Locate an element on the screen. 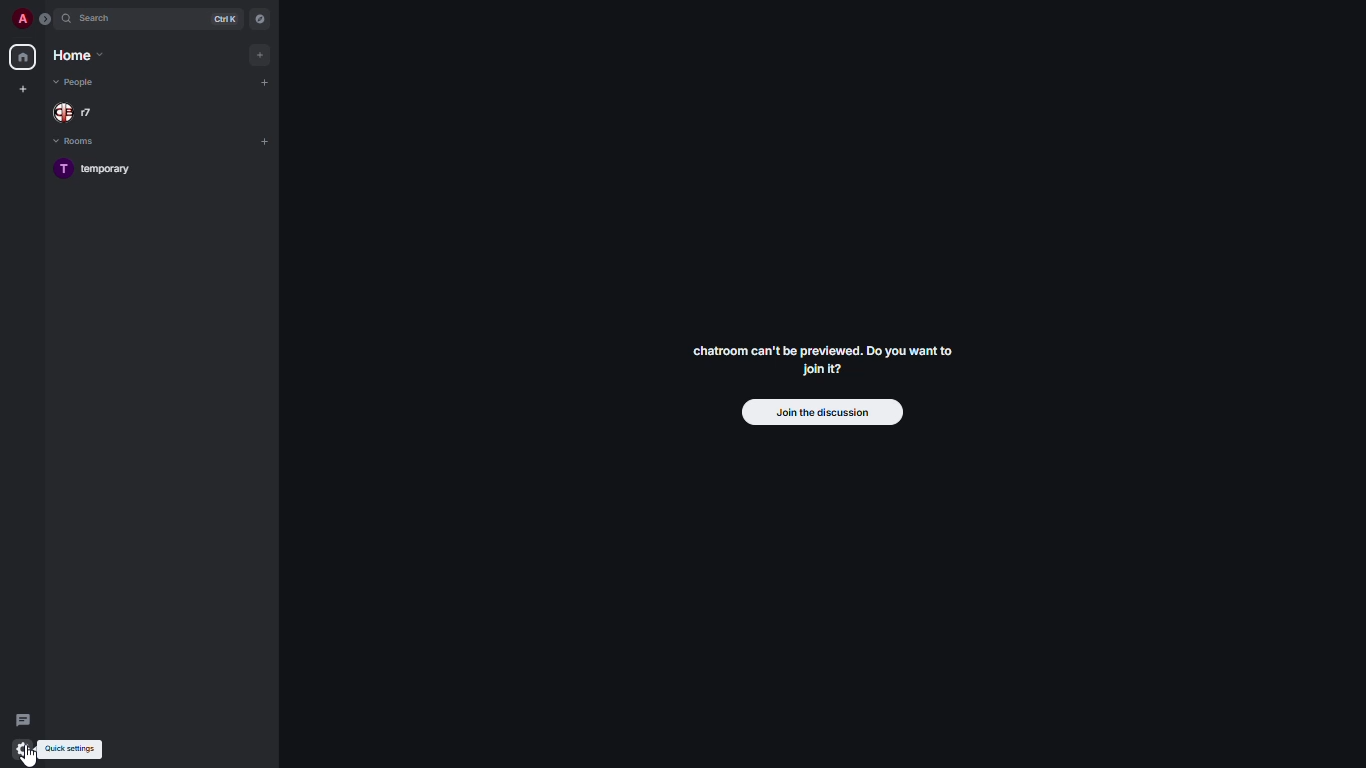  profile is located at coordinates (21, 18).